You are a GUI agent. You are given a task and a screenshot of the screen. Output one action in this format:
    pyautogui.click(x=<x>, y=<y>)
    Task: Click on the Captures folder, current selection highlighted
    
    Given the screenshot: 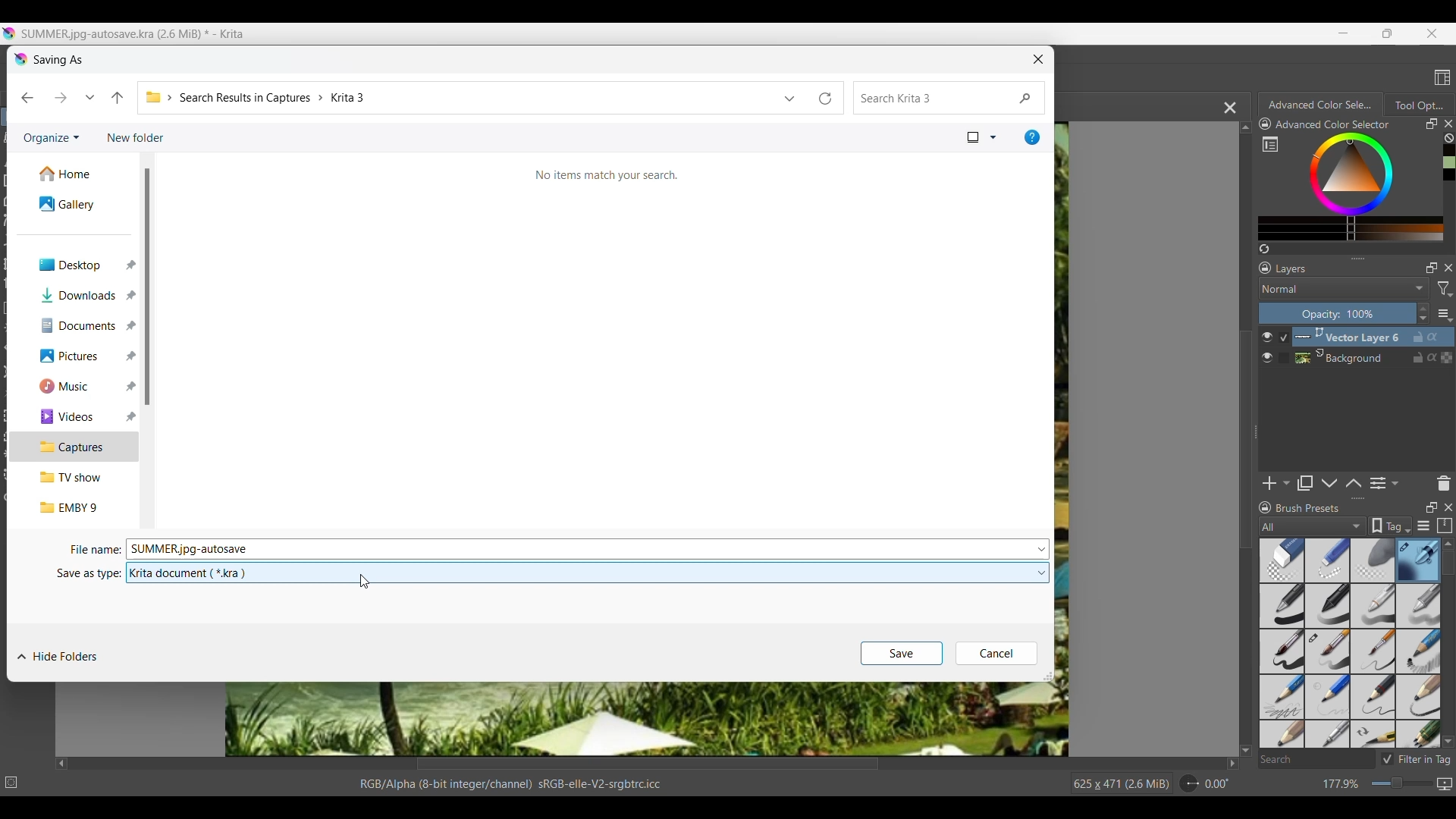 What is the action you would take?
    pyautogui.click(x=74, y=447)
    